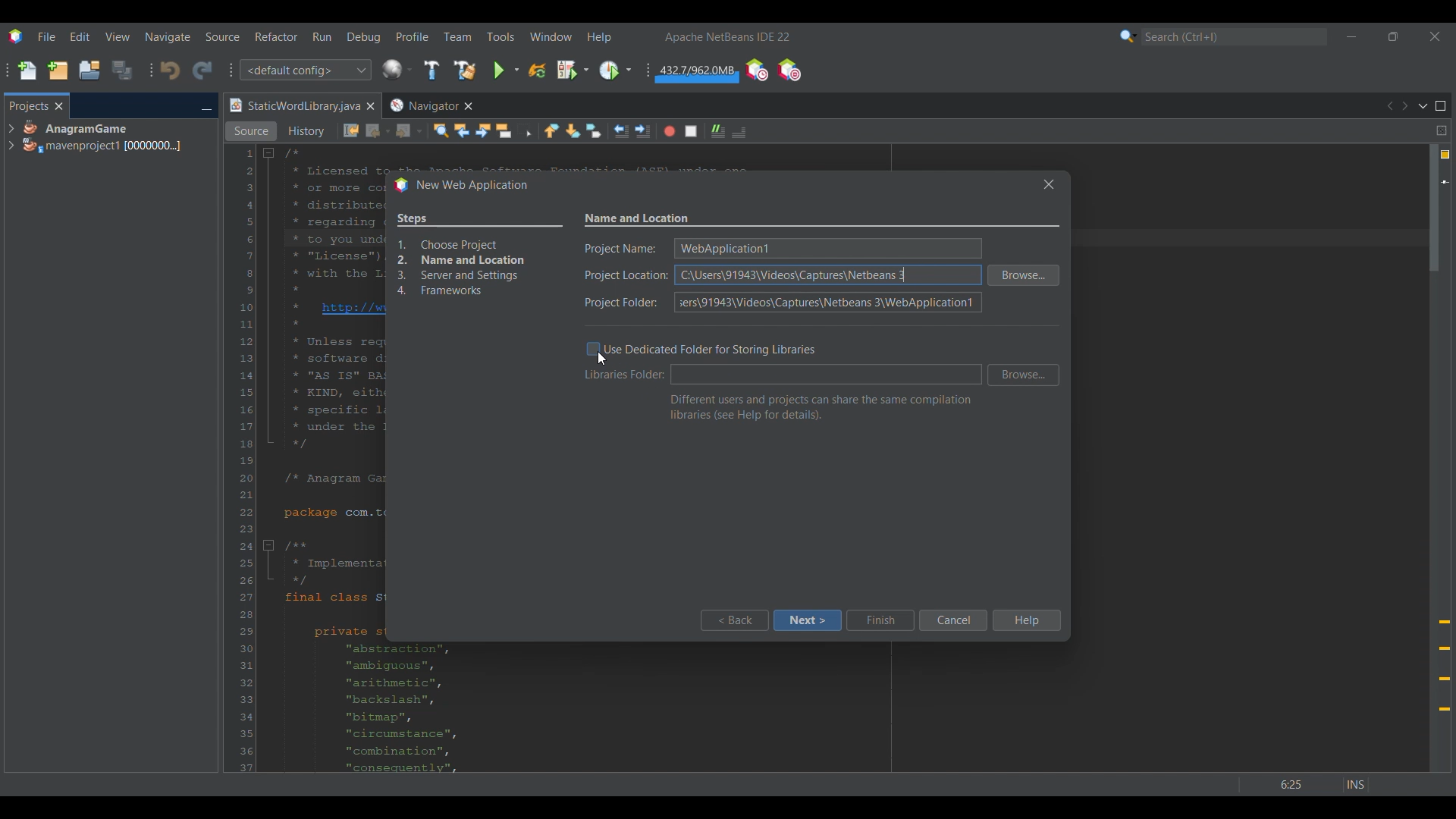 The image size is (1456, 819). I want to click on Undo, so click(170, 71).